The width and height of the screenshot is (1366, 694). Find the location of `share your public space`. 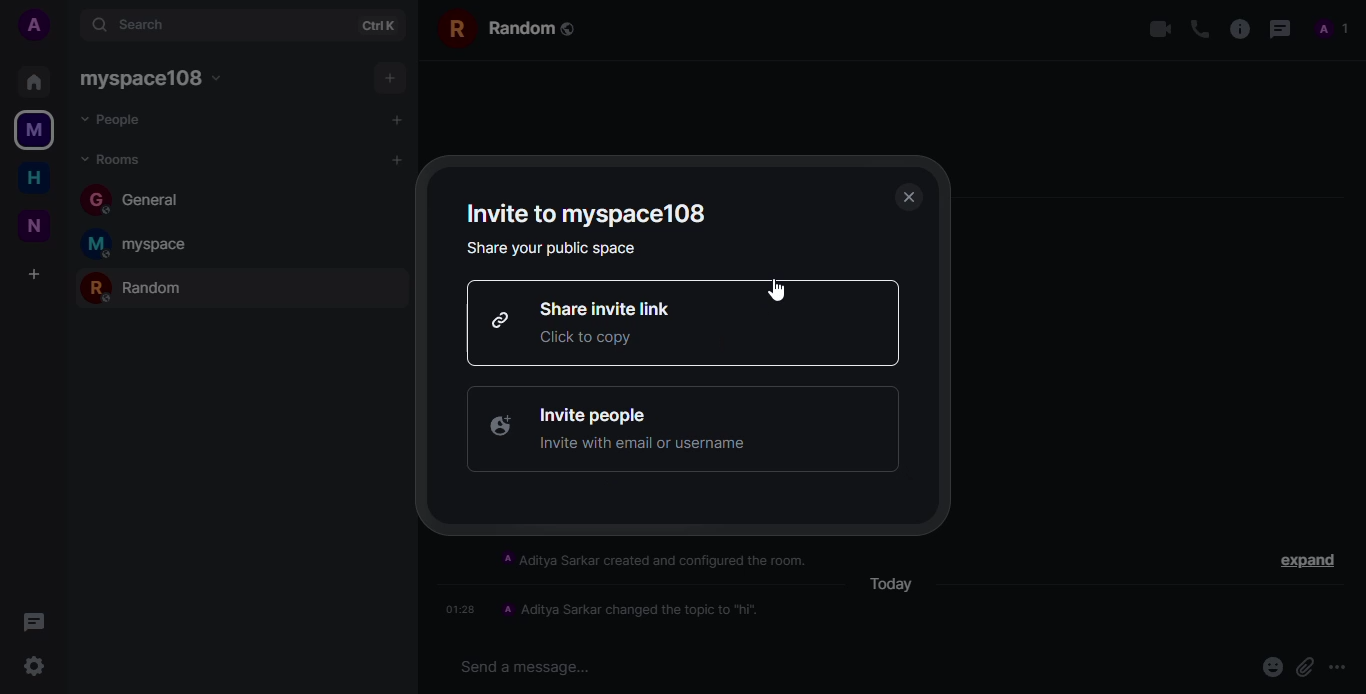

share your public space is located at coordinates (554, 246).